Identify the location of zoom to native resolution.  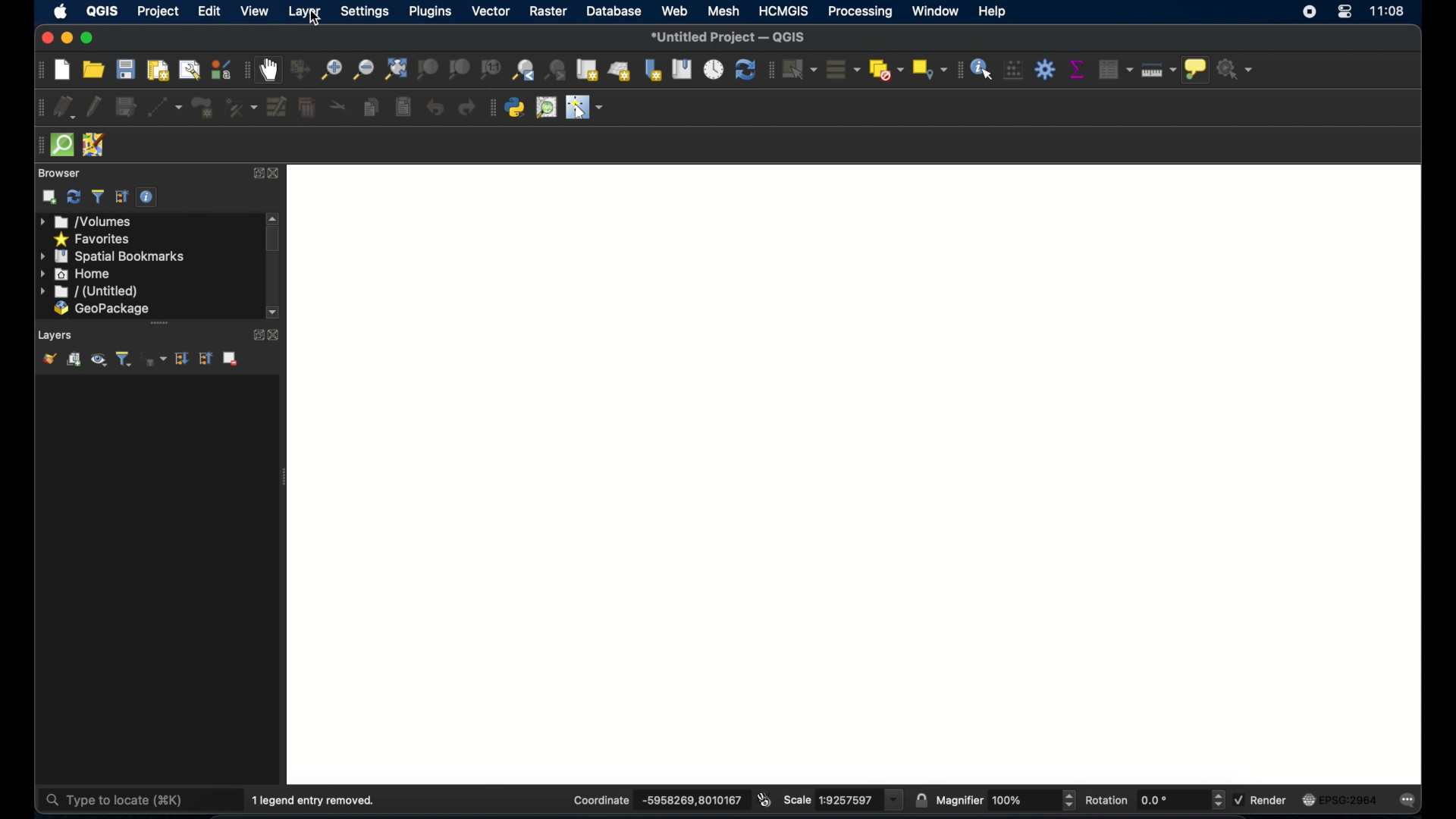
(491, 69).